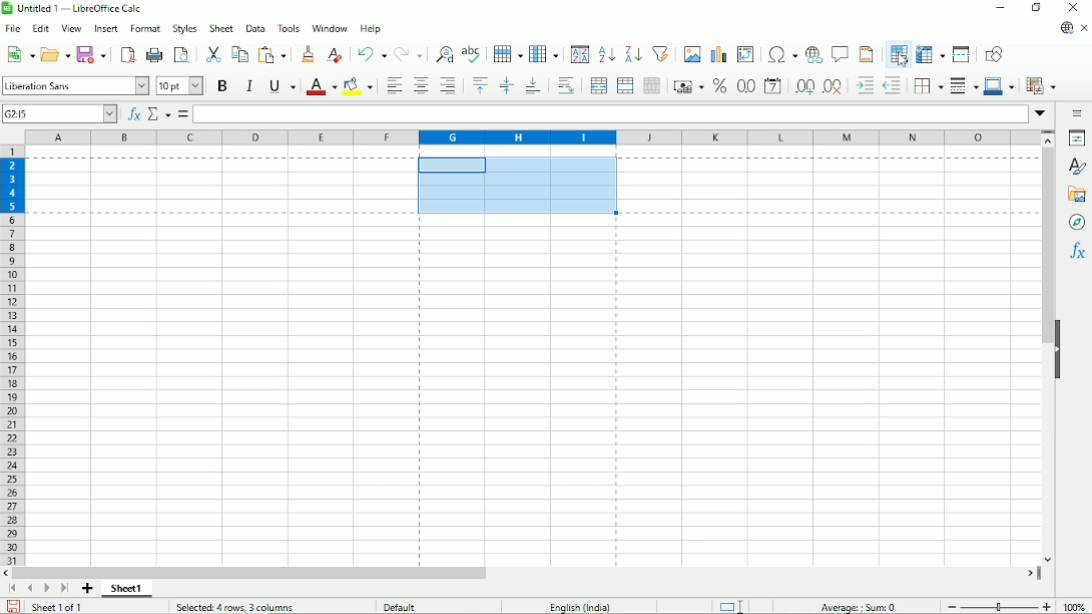 The image size is (1092, 614). Describe the element at coordinates (660, 53) in the screenshot. I see `Autofilter` at that location.